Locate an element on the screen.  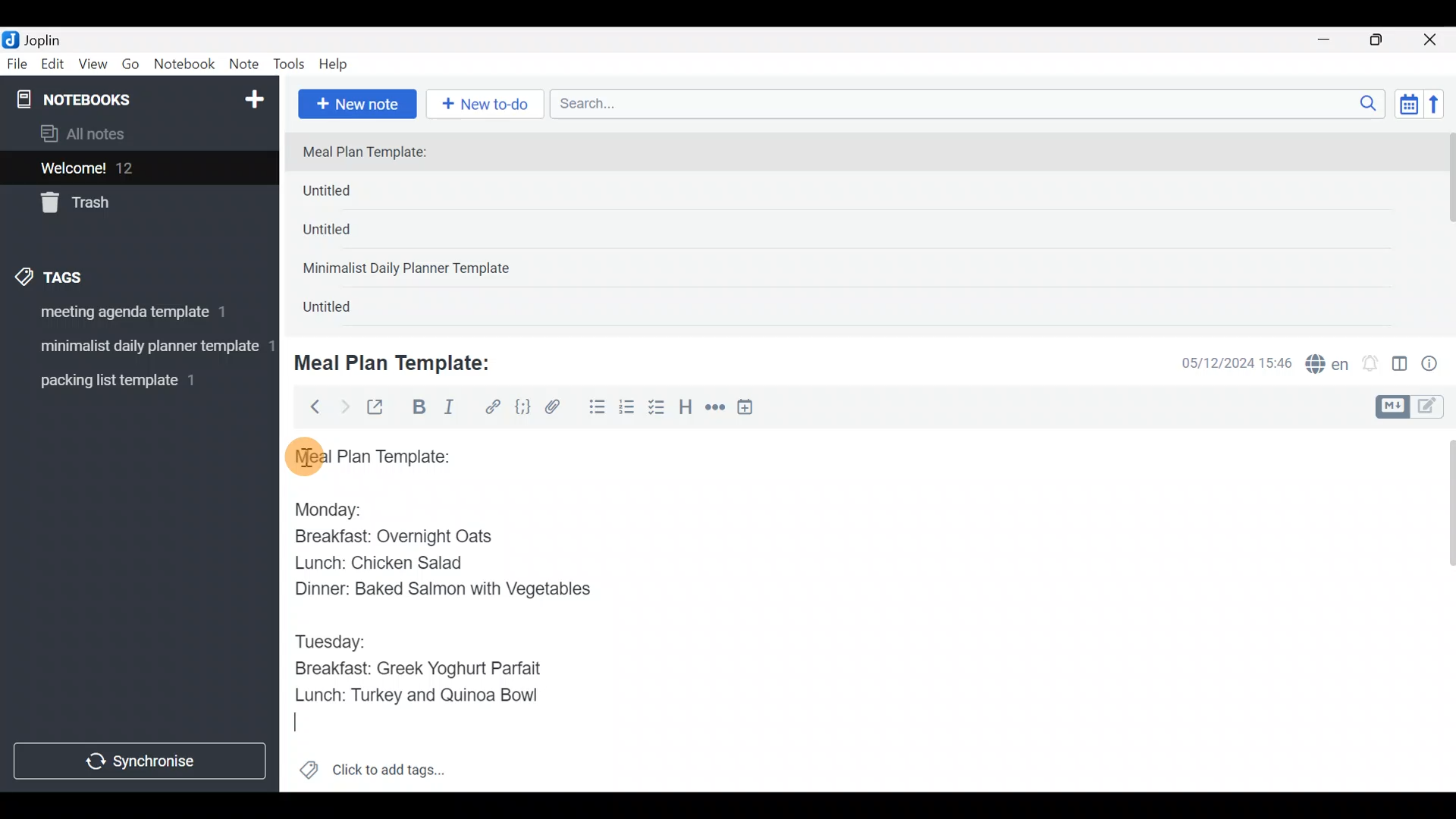
Search bar is located at coordinates (971, 102).